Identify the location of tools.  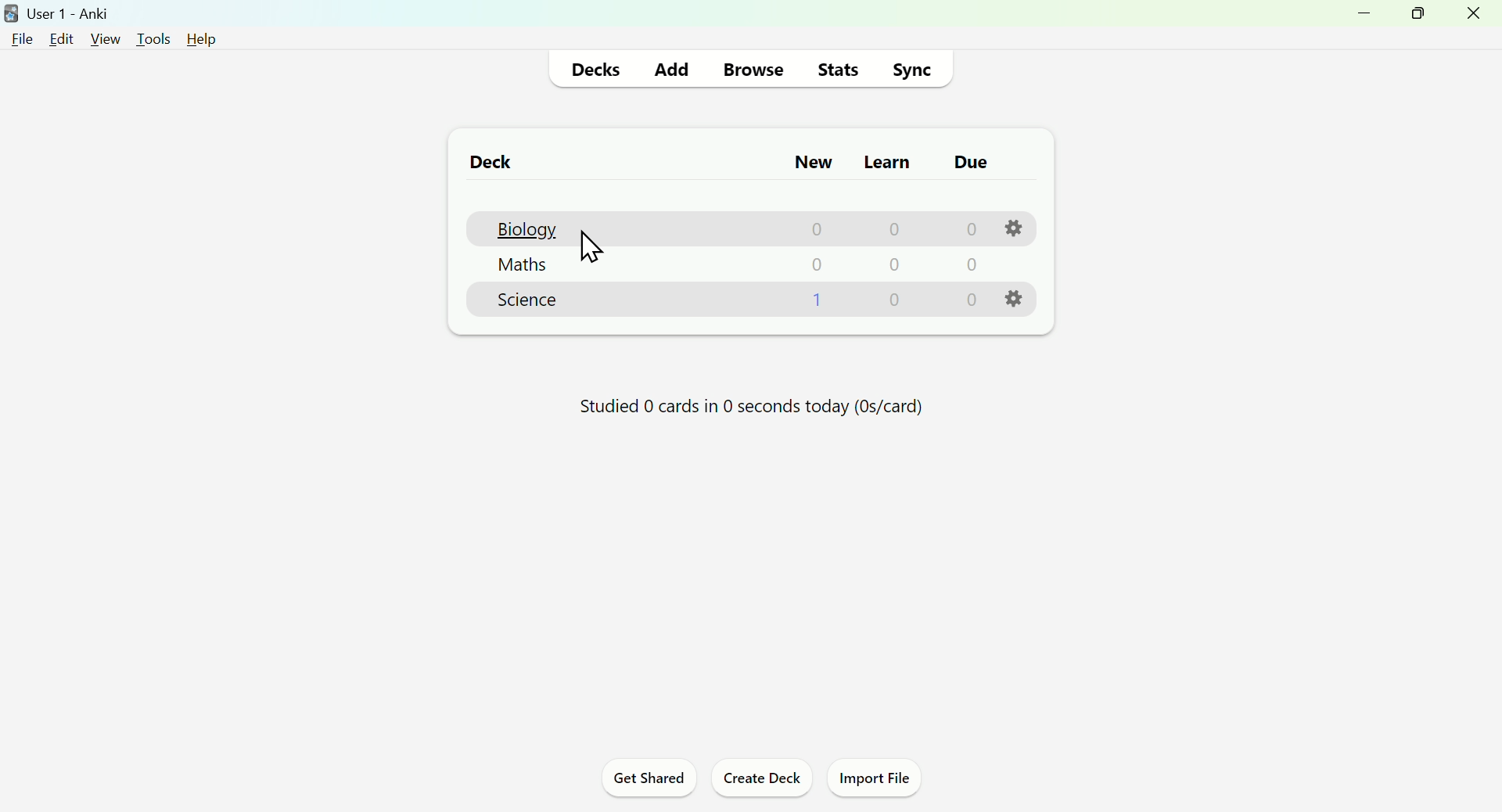
(153, 39).